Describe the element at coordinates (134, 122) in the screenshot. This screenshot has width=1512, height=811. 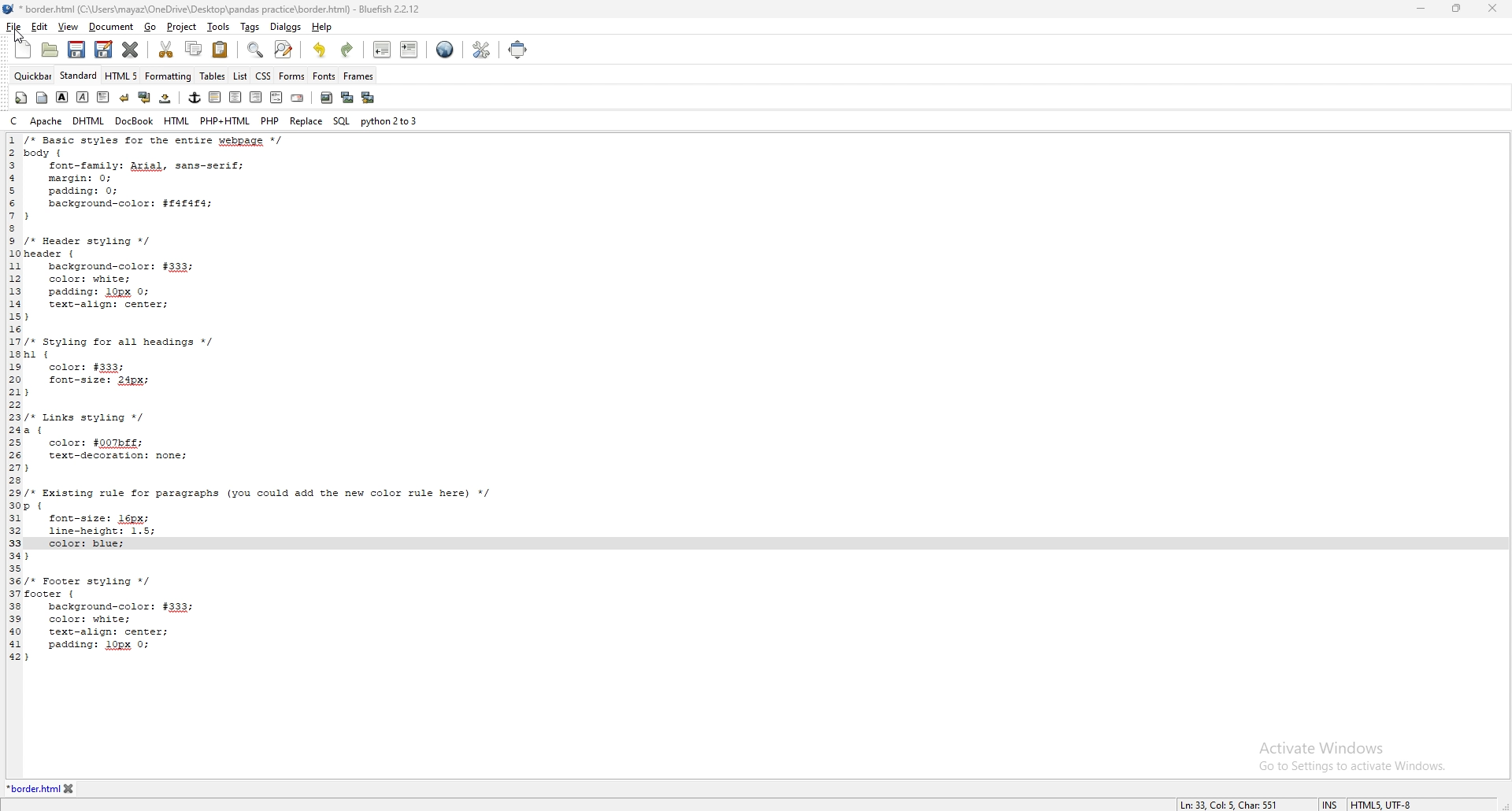
I see `docbook` at that location.